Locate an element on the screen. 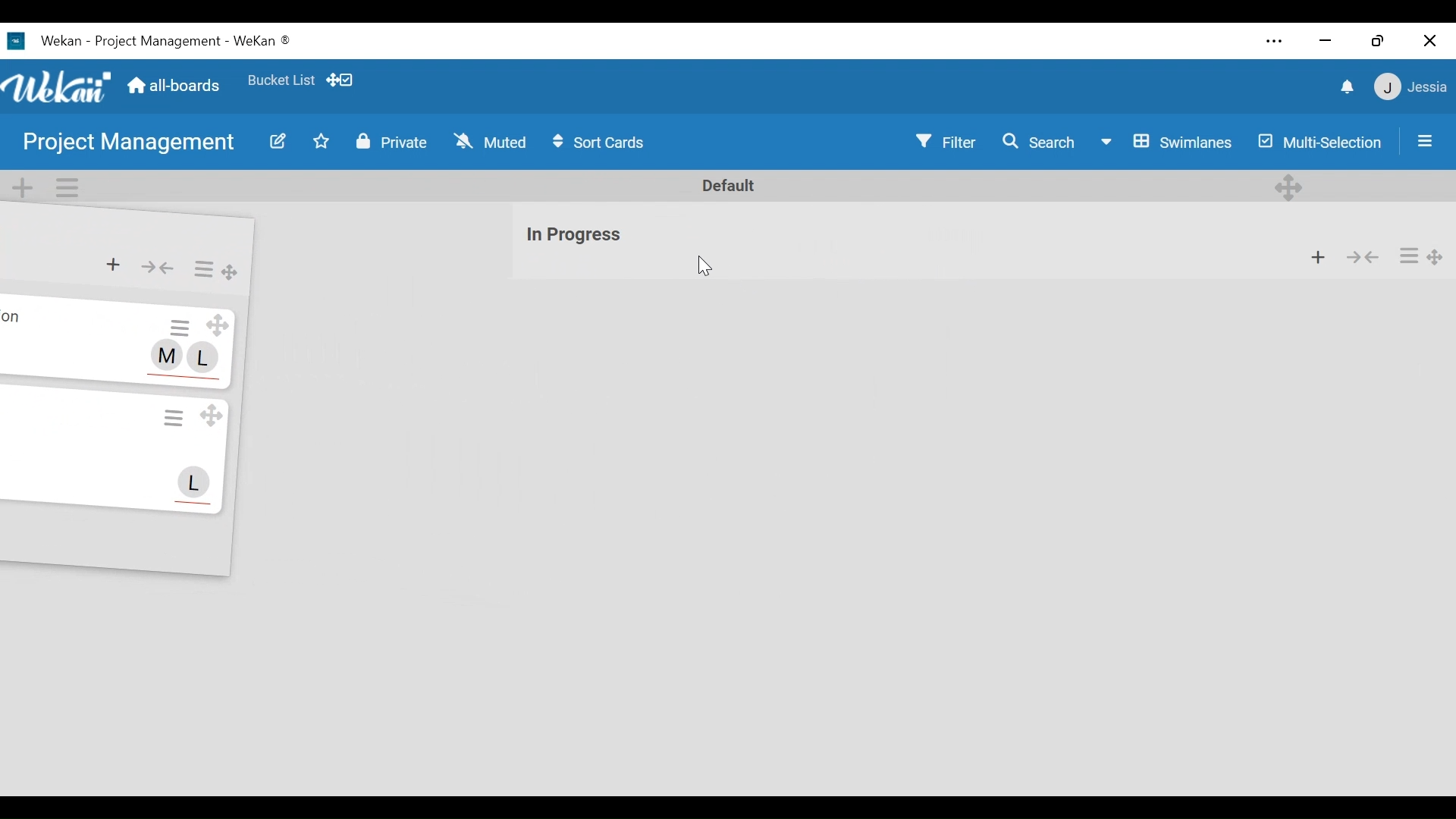 The height and width of the screenshot is (819, 1456). List Actions is located at coordinates (1409, 255).